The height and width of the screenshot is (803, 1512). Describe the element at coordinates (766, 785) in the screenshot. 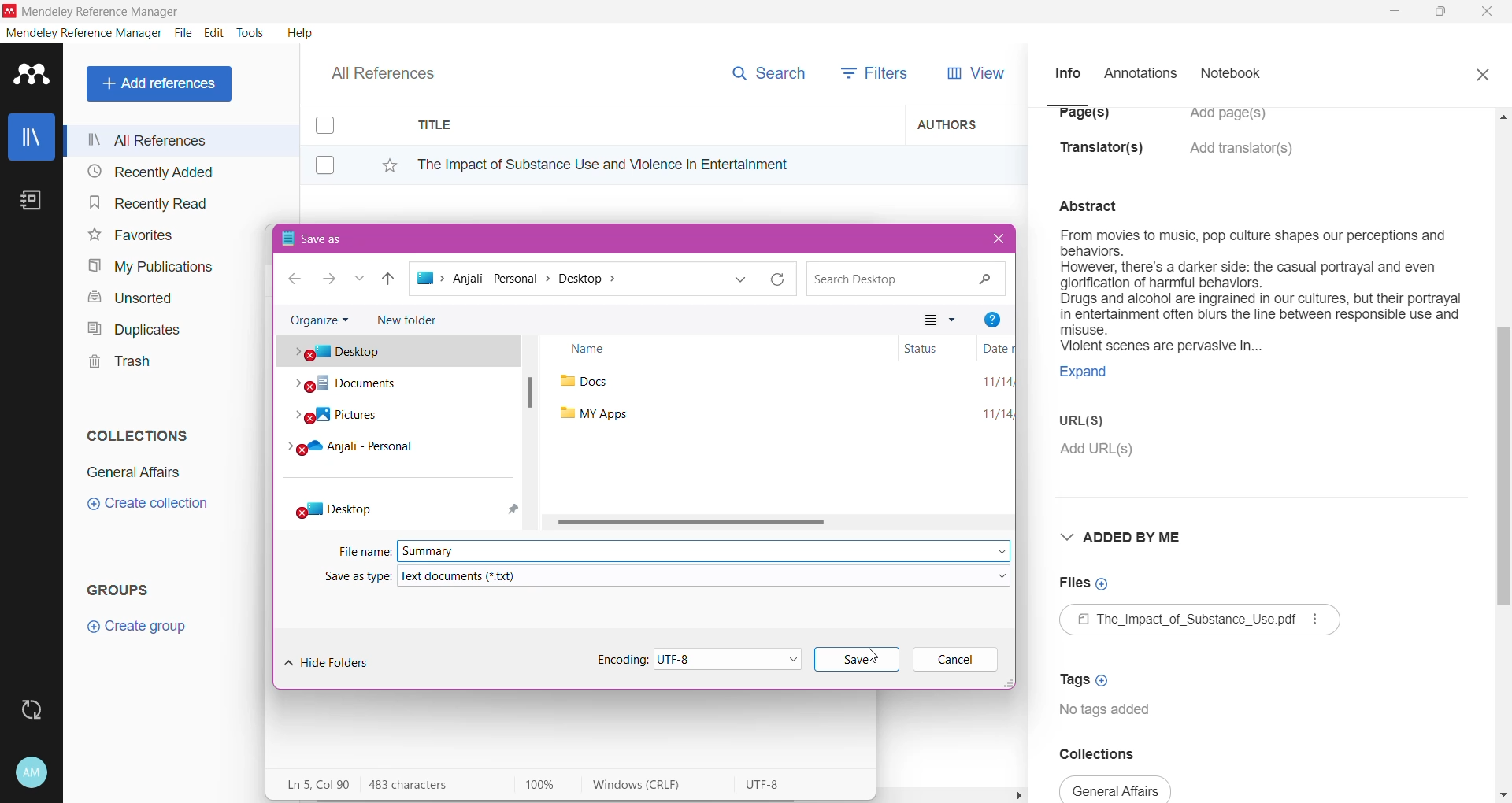

I see `Character encoding used` at that location.